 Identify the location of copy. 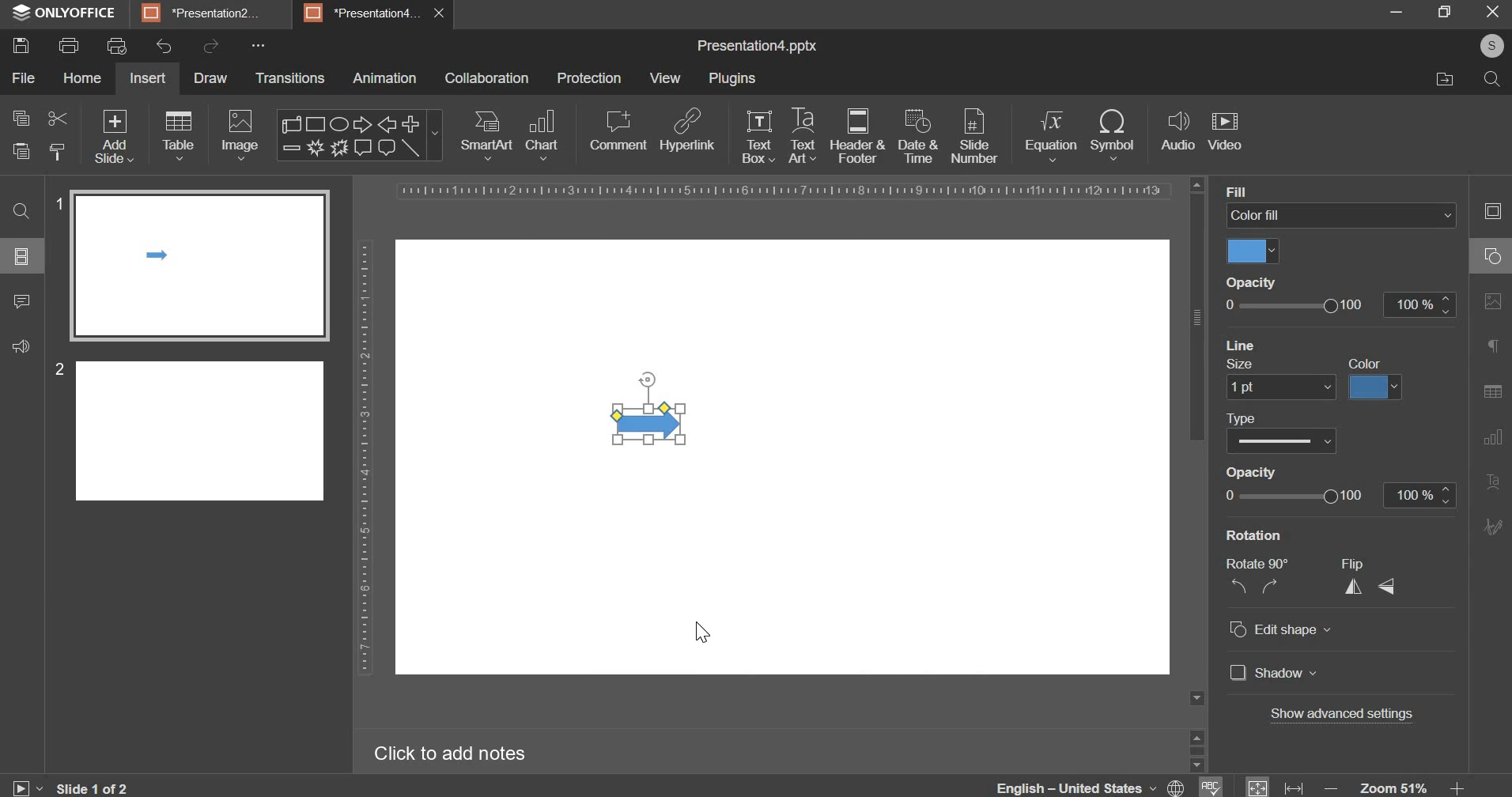
(21, 117).